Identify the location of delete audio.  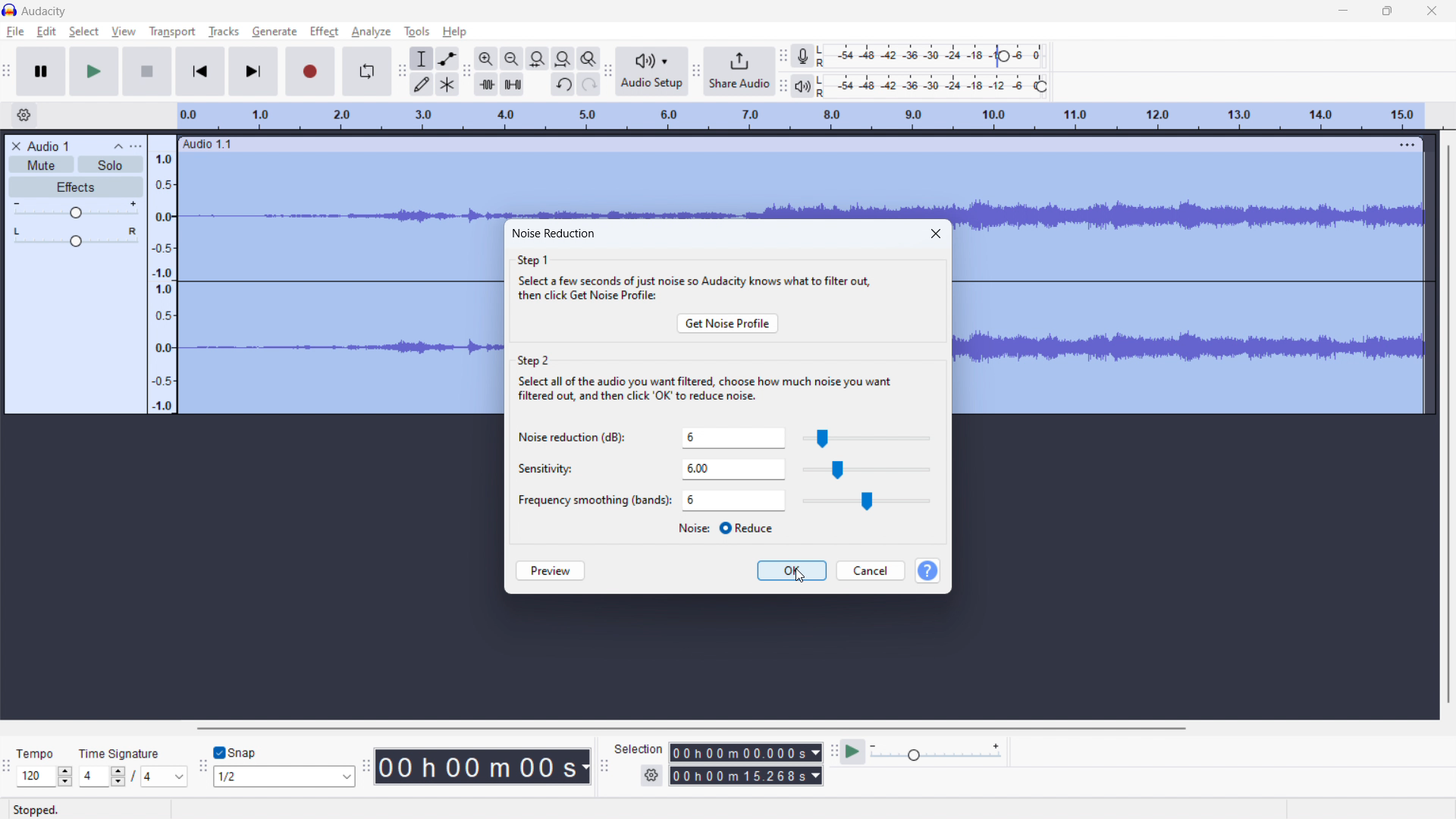
(14, 146).